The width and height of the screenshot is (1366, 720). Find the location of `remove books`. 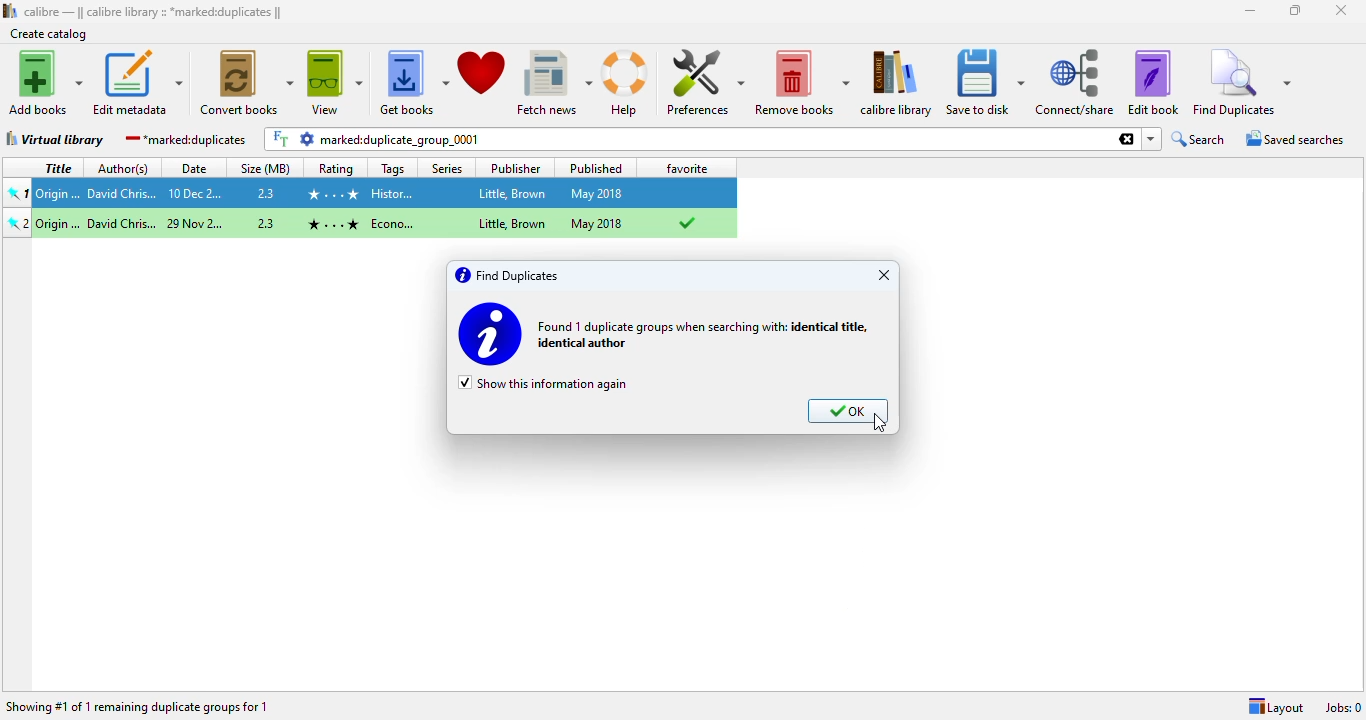

remove books is located at coordinates (801, 82).